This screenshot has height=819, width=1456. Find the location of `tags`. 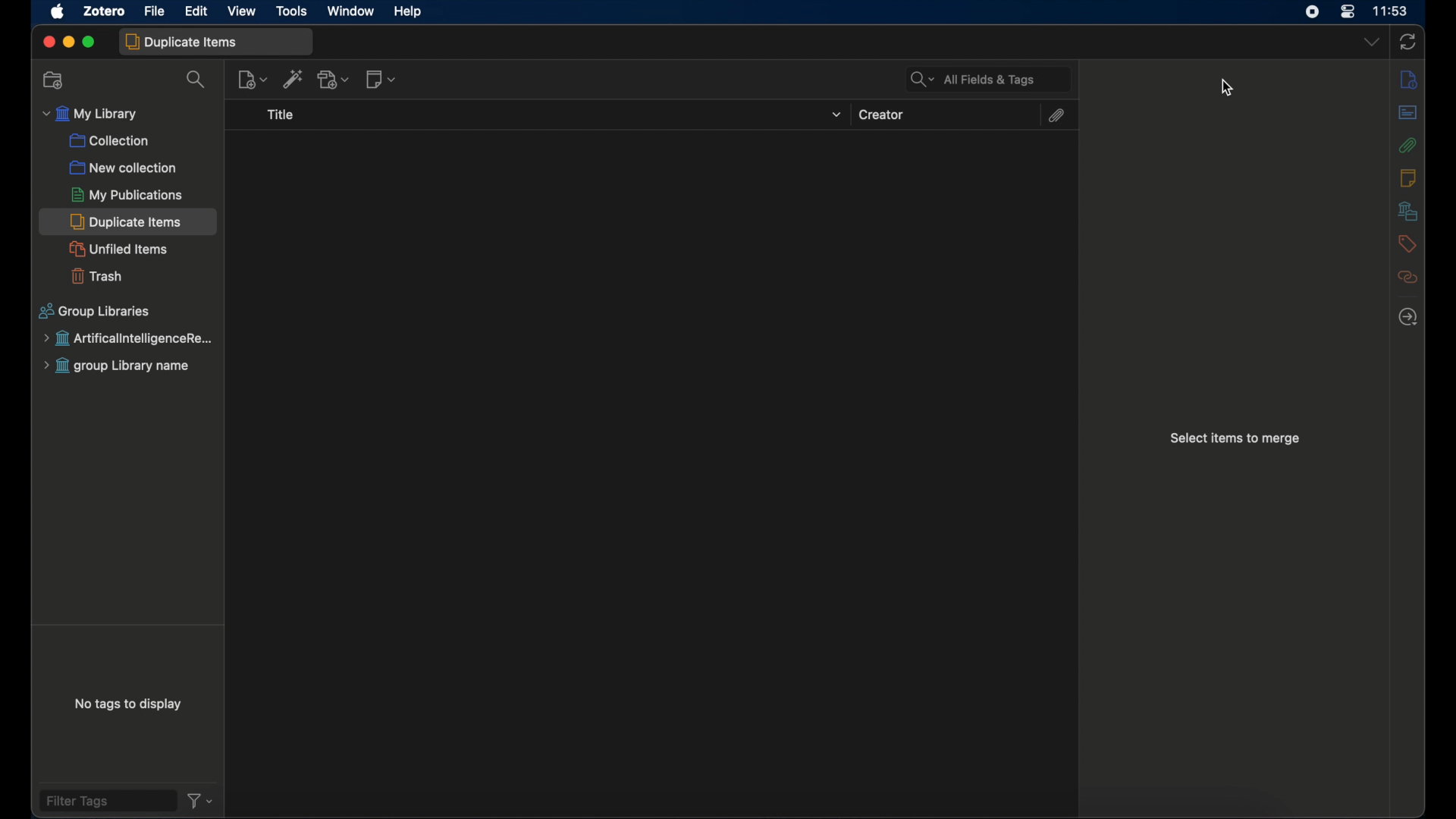

tags is located at coordinates (1406, 245).